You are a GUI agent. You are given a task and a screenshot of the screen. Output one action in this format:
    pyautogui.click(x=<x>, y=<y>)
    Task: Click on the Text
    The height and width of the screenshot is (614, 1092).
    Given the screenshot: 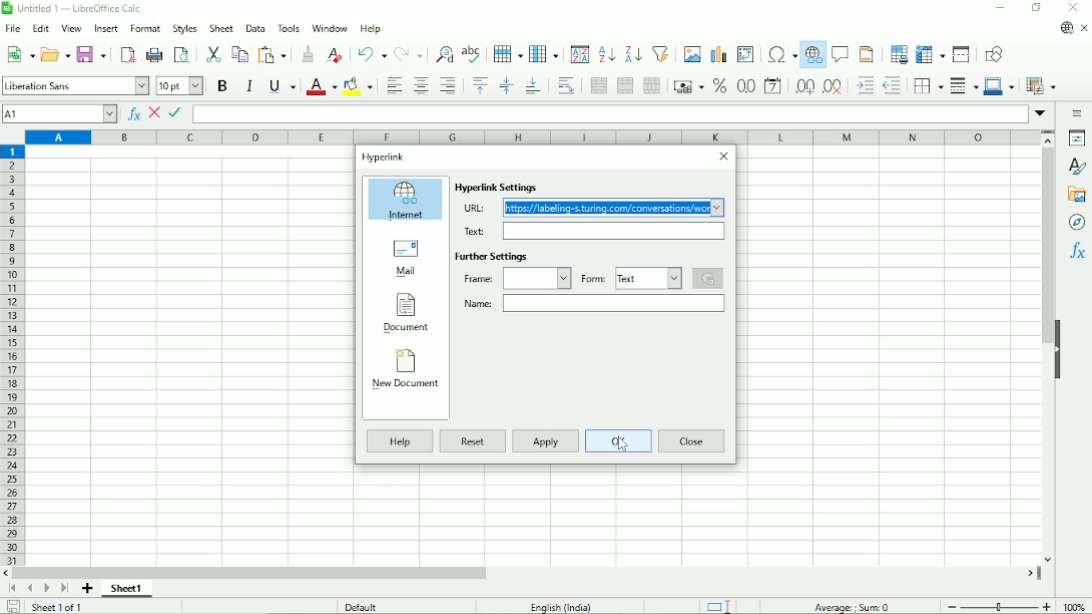 What is the action you would take?
    pyautogui.click(x=473, y=231)
    